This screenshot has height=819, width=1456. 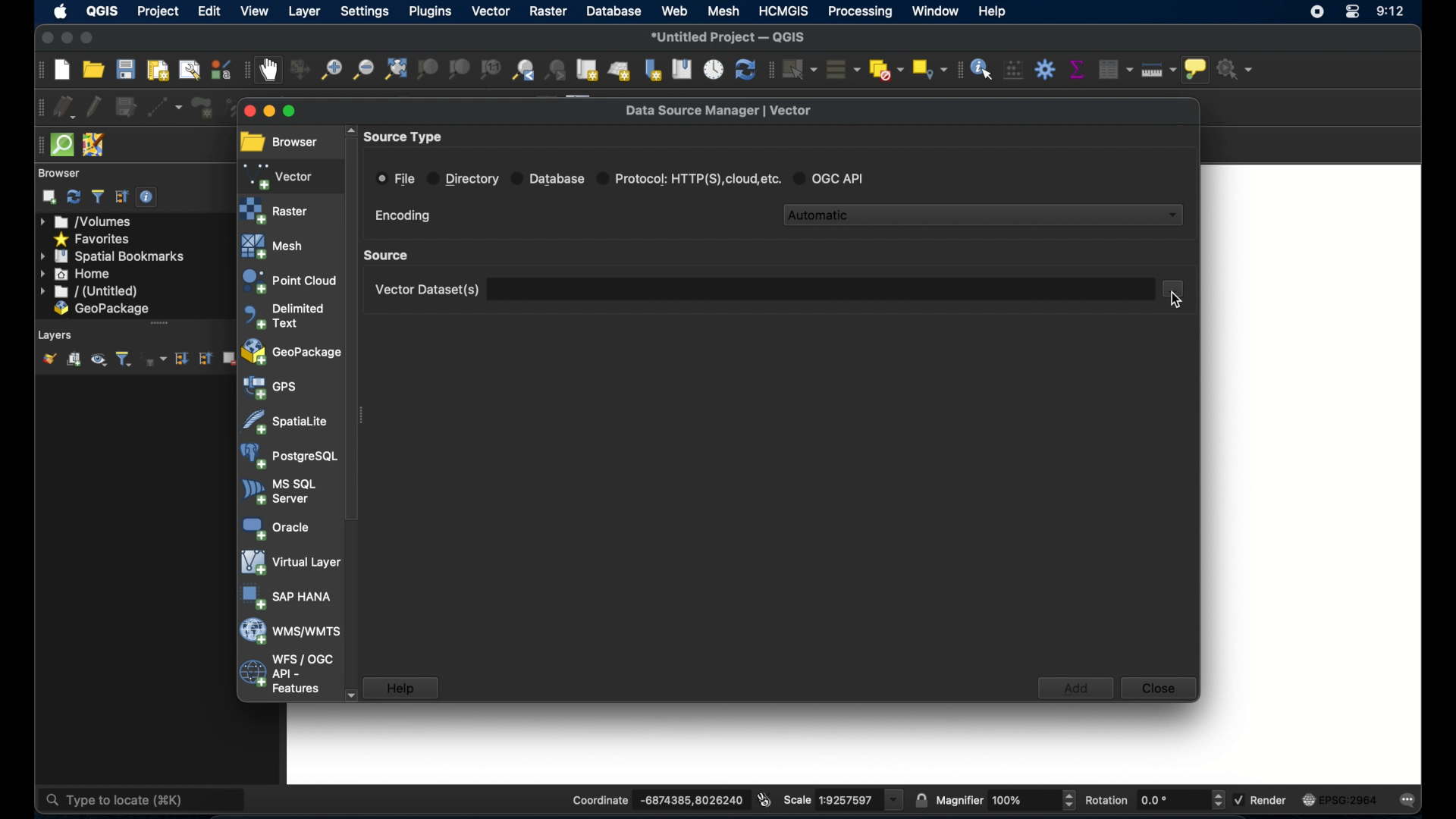 I want to click on browser, so click(x=62, y=173).